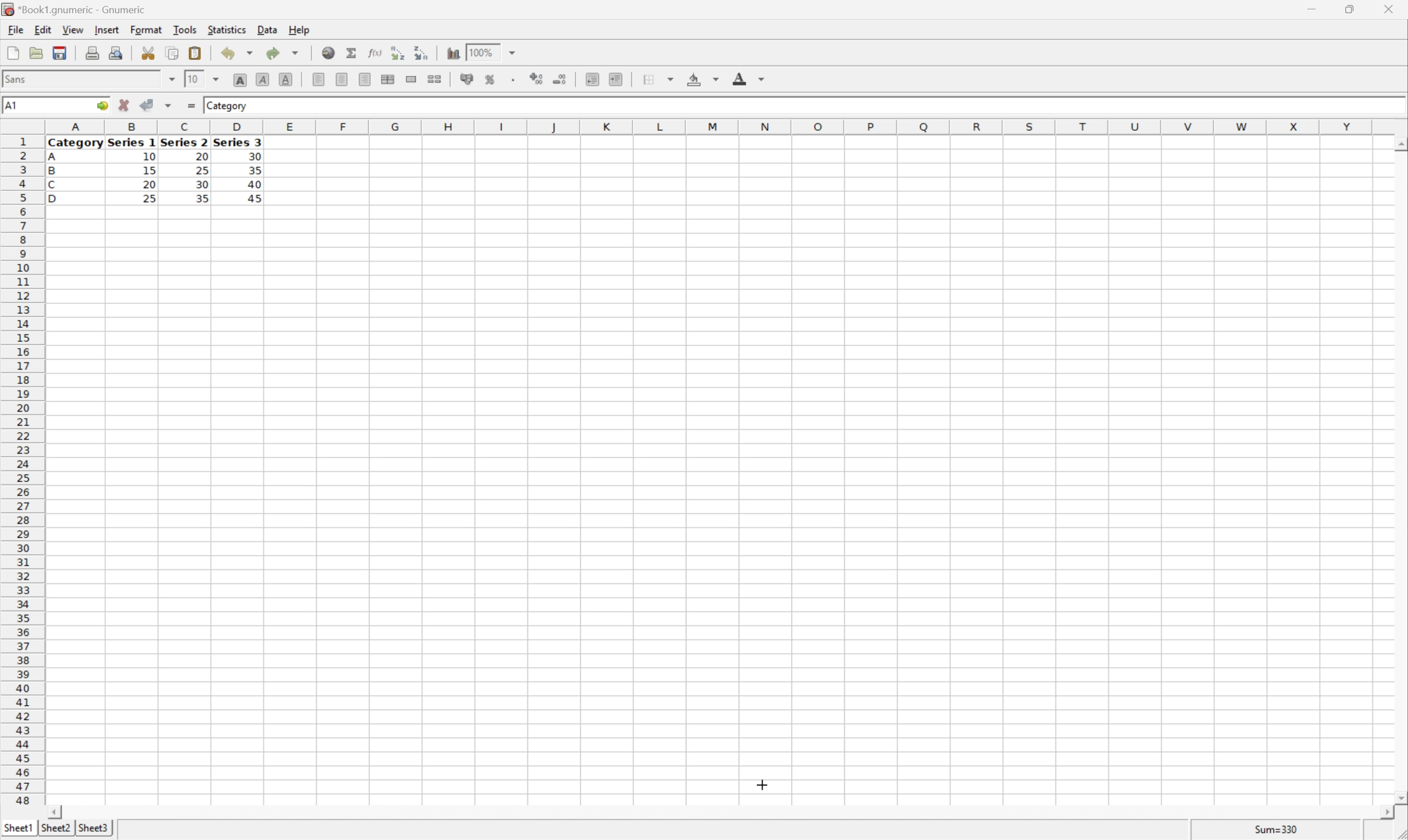  What do you see at coordinates (286, 78) in the screenshot?
I see `Underline` at bounding box center [286, 78].